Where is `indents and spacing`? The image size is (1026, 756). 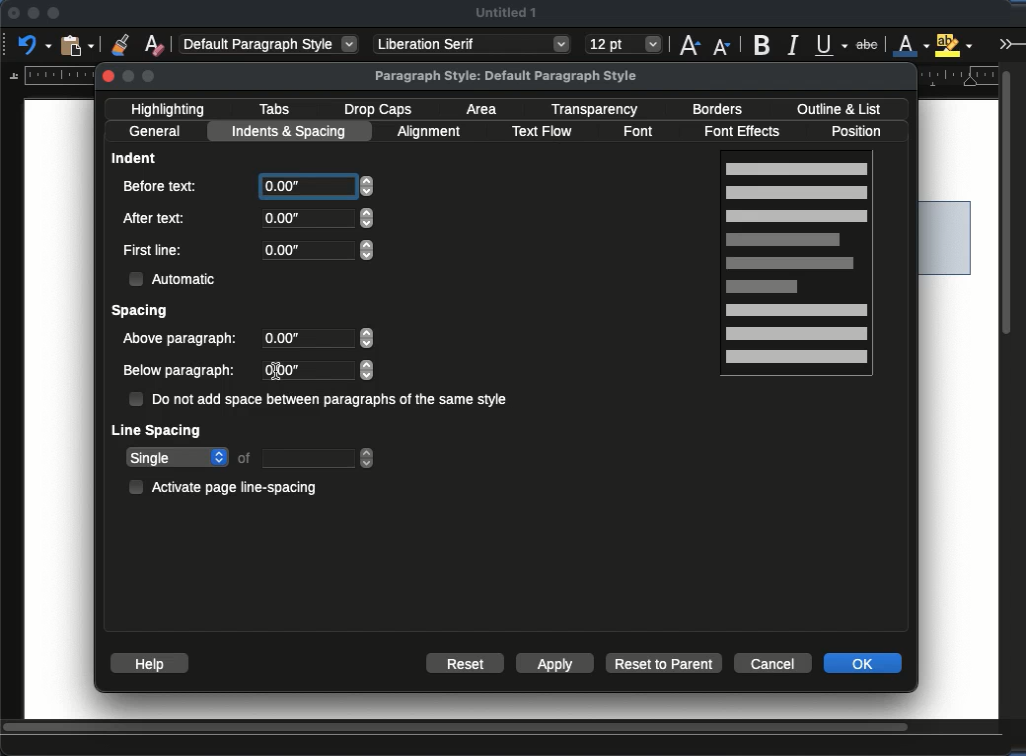 indents and spacing is located at coordinates (291, 132).